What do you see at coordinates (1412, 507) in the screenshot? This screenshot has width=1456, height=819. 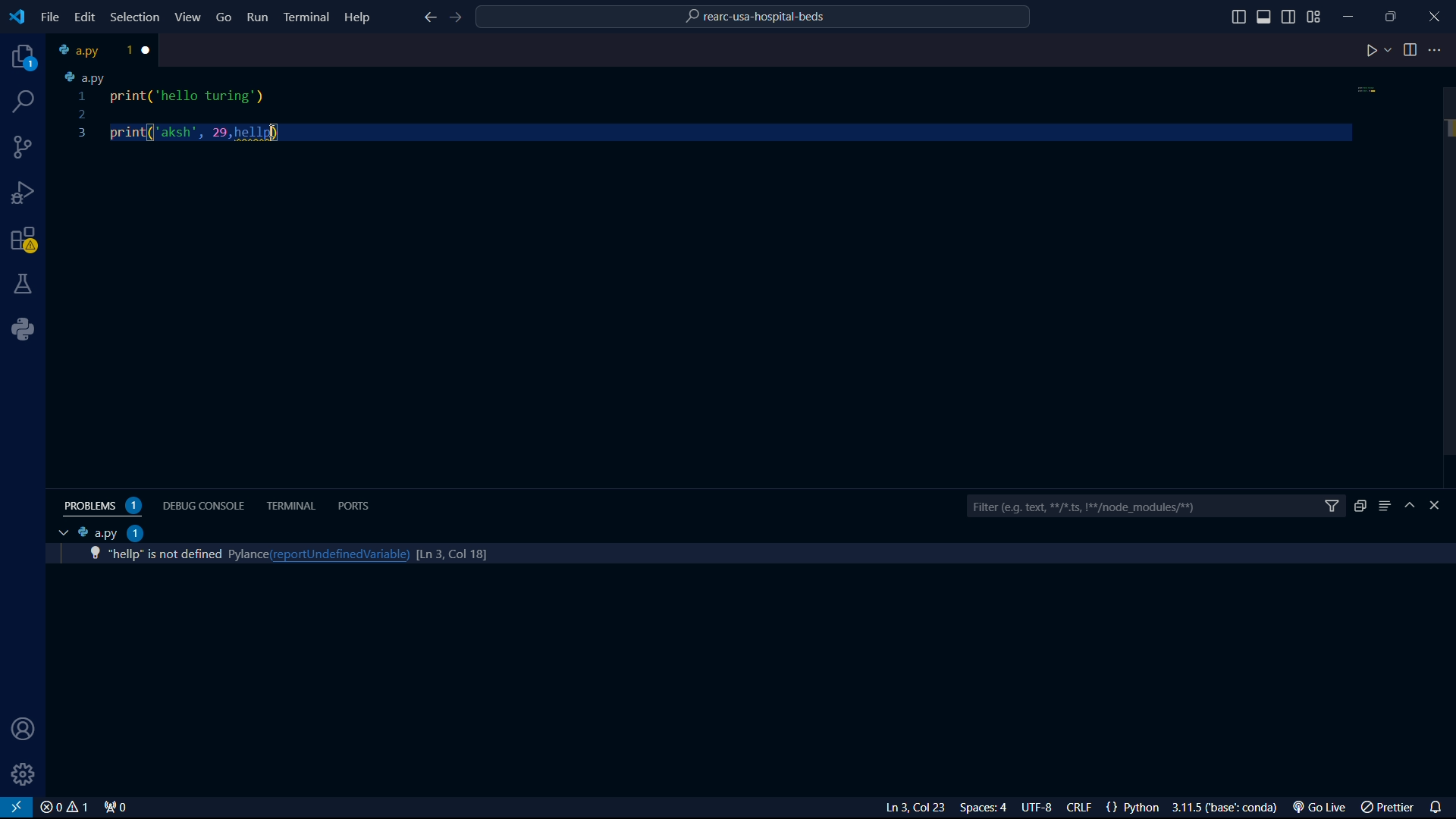 I see `hide` at bounding box center [1412, 507].